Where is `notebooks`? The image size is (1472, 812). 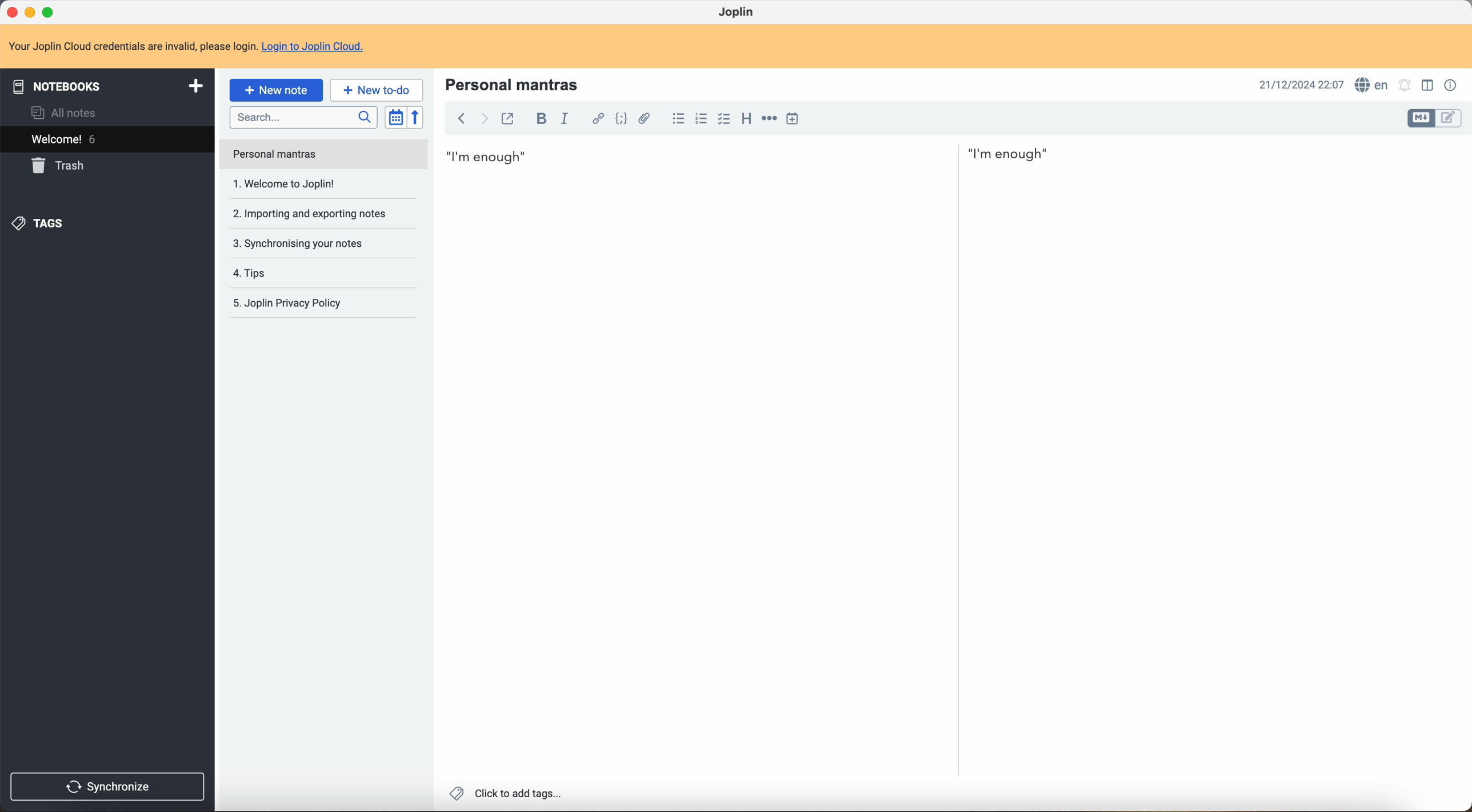
notebooks is located at coordinates (107, 85).